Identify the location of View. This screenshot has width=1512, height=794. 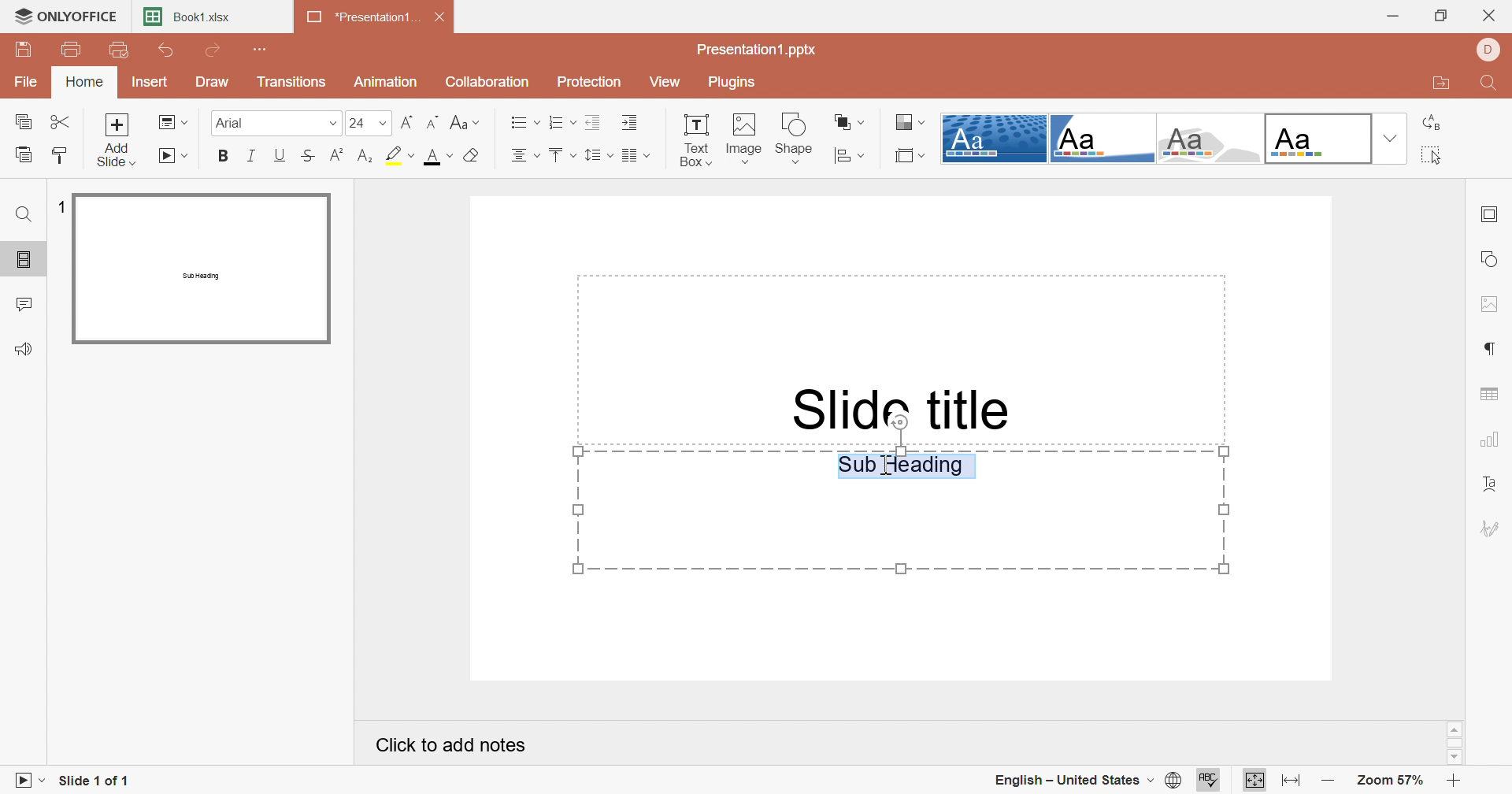
(669, 80).